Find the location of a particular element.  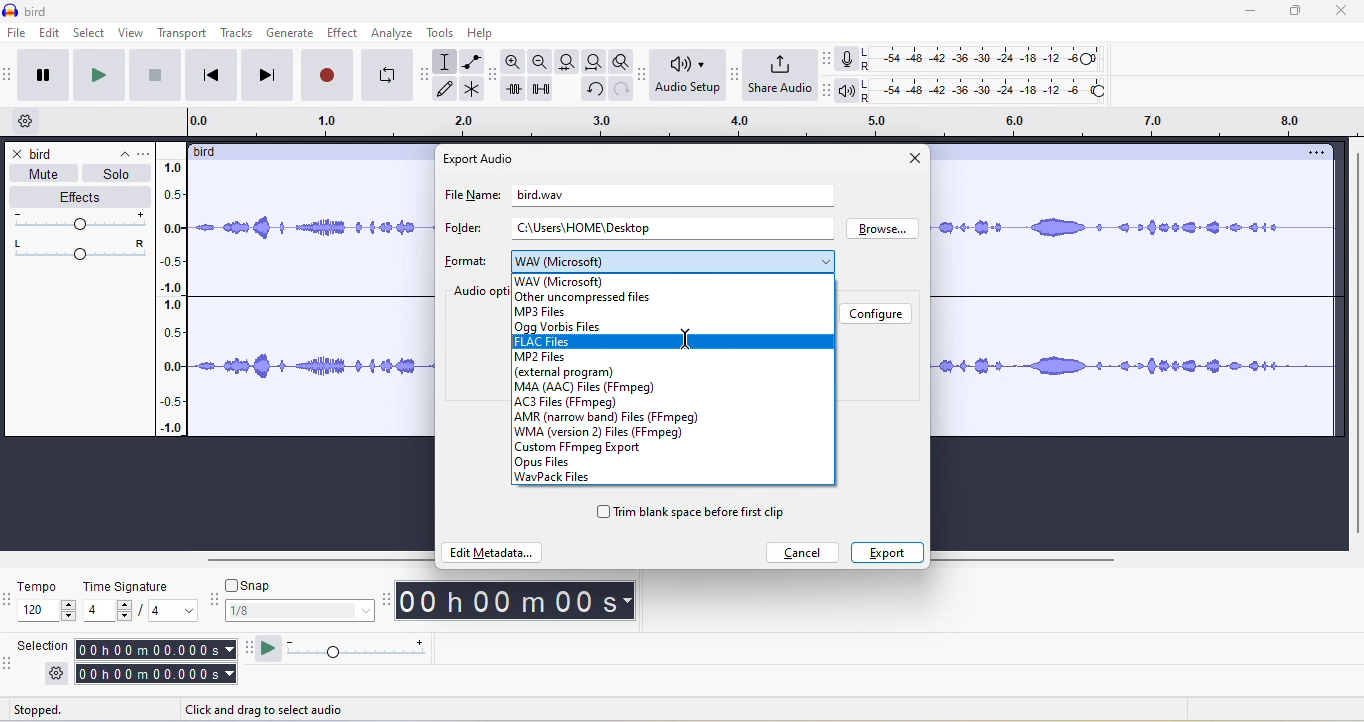

horizontal scroll bar is located at coordinates (318, 559).